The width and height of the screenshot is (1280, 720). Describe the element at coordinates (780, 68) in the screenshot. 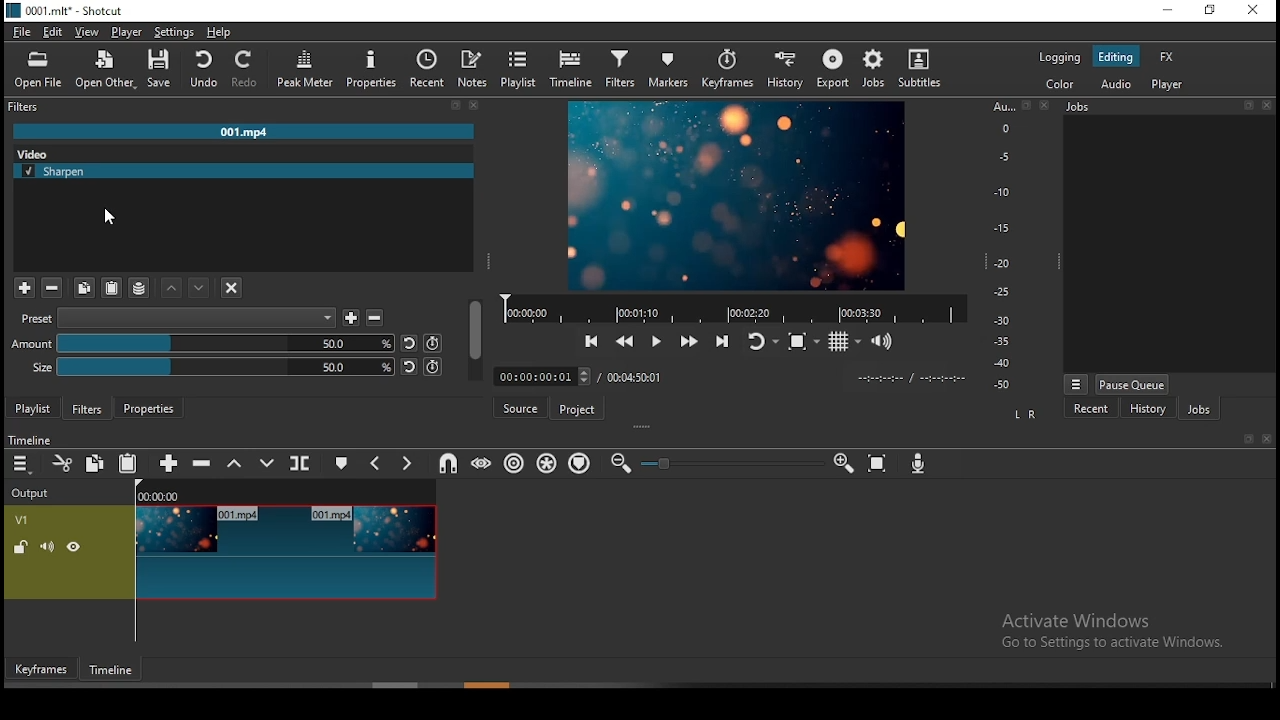

I see `history` at that location.